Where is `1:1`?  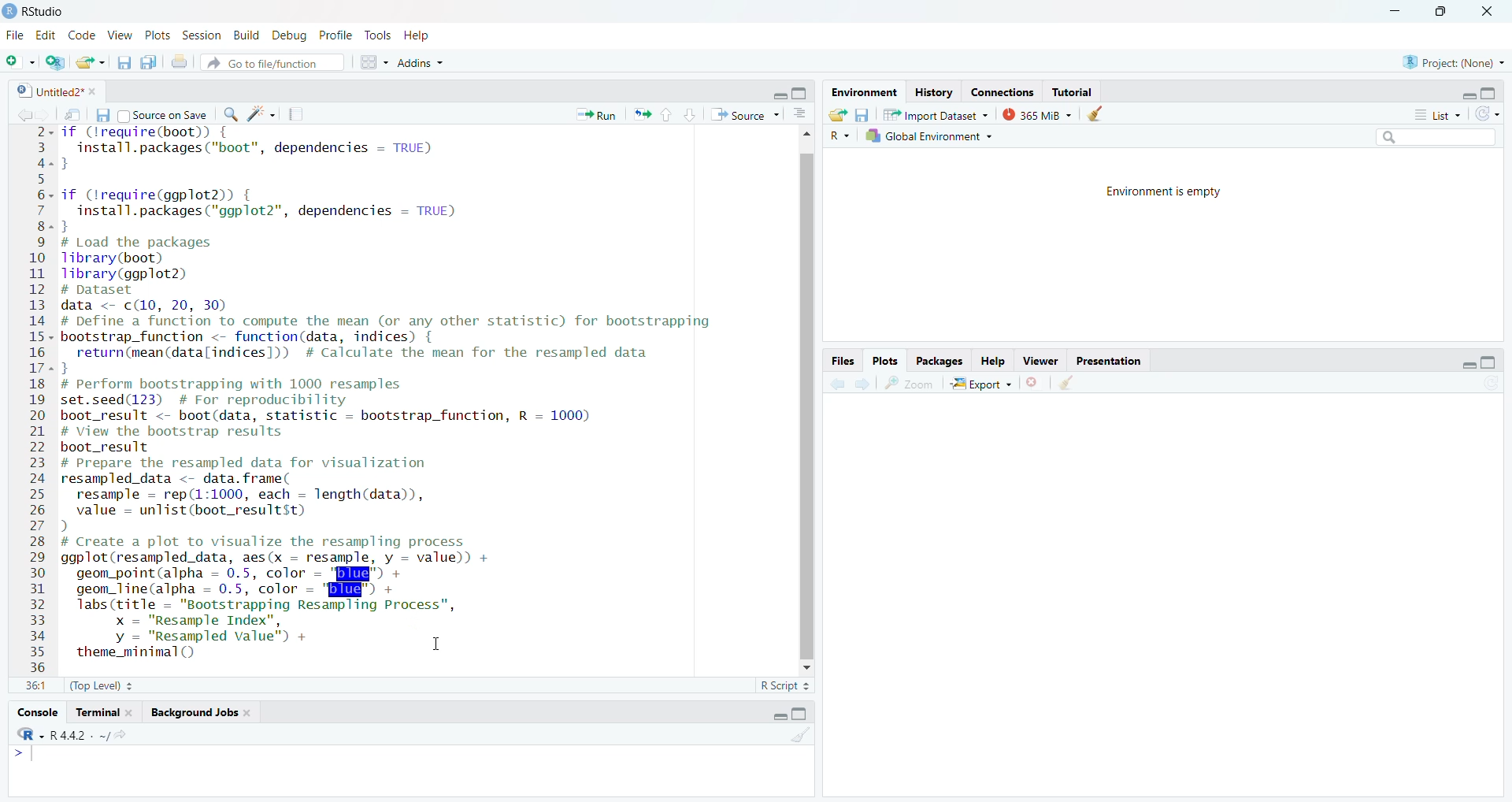 1:1 is located at coordinates (36, 685).